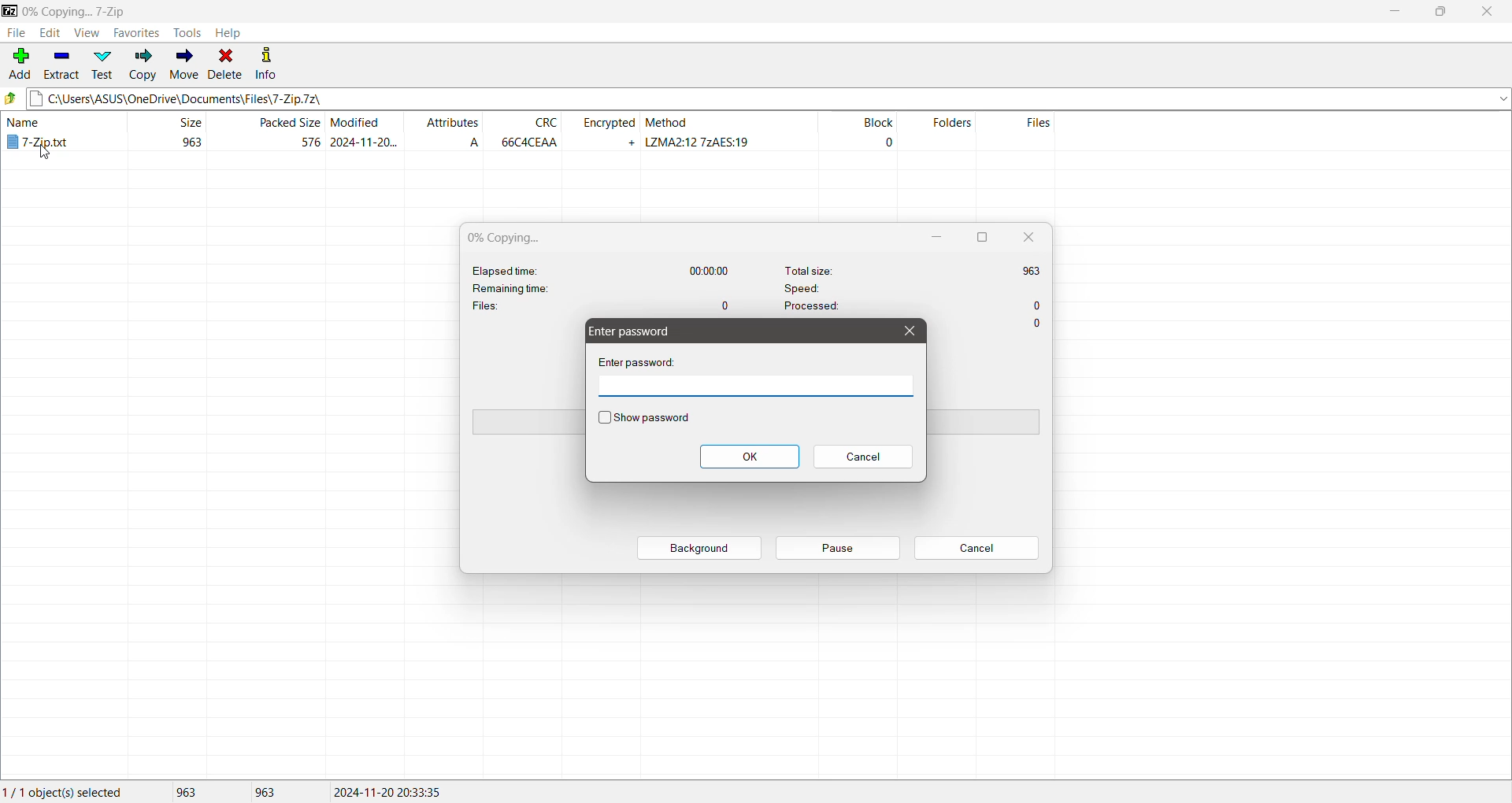 This screenshot has height=803, width=1512. I want to click on Elapsed Time, so click(603, 269).